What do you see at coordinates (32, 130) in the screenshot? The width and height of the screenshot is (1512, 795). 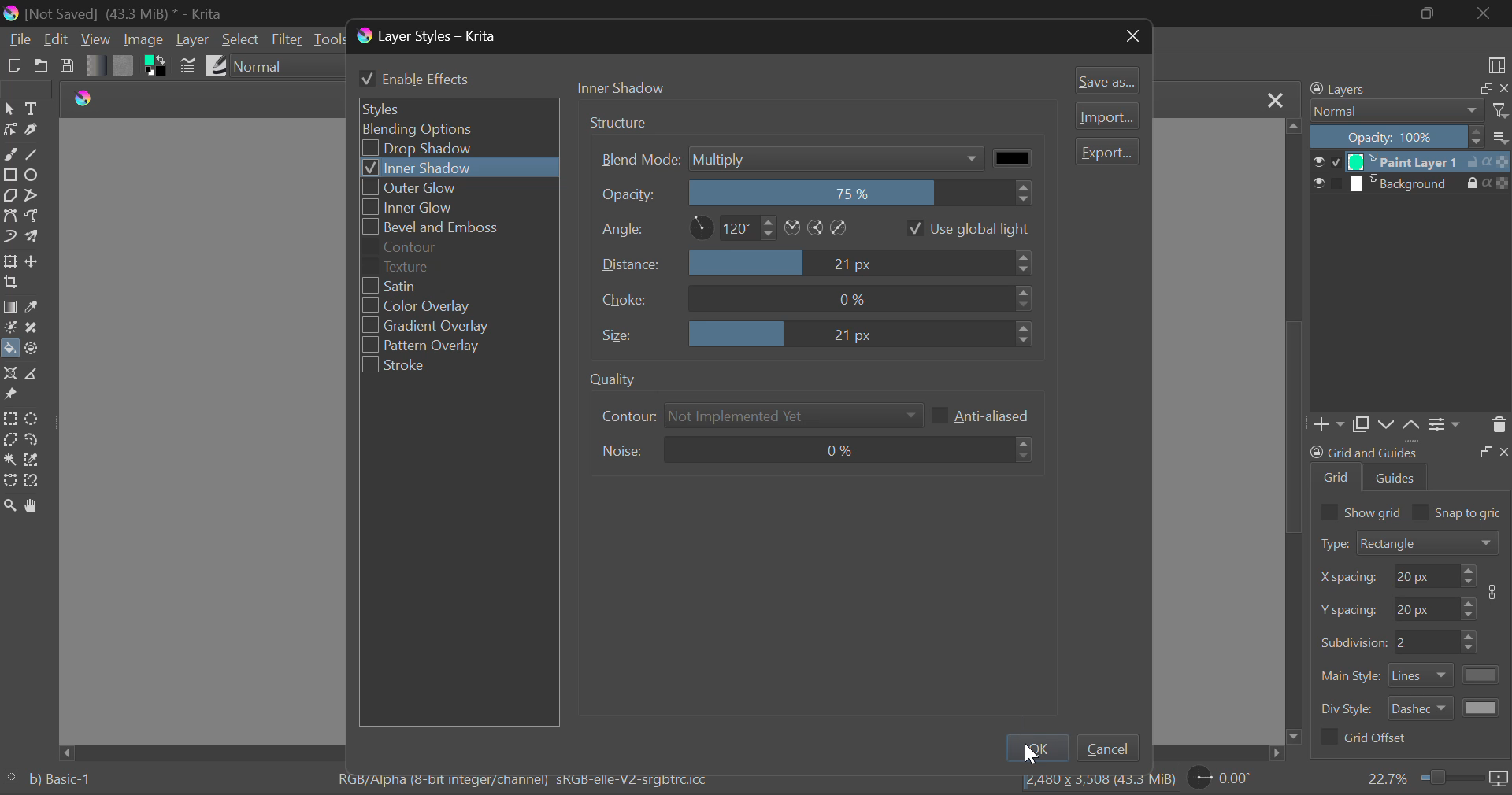 I see `Calligraphic Tool` at bounding box center [32, 130].